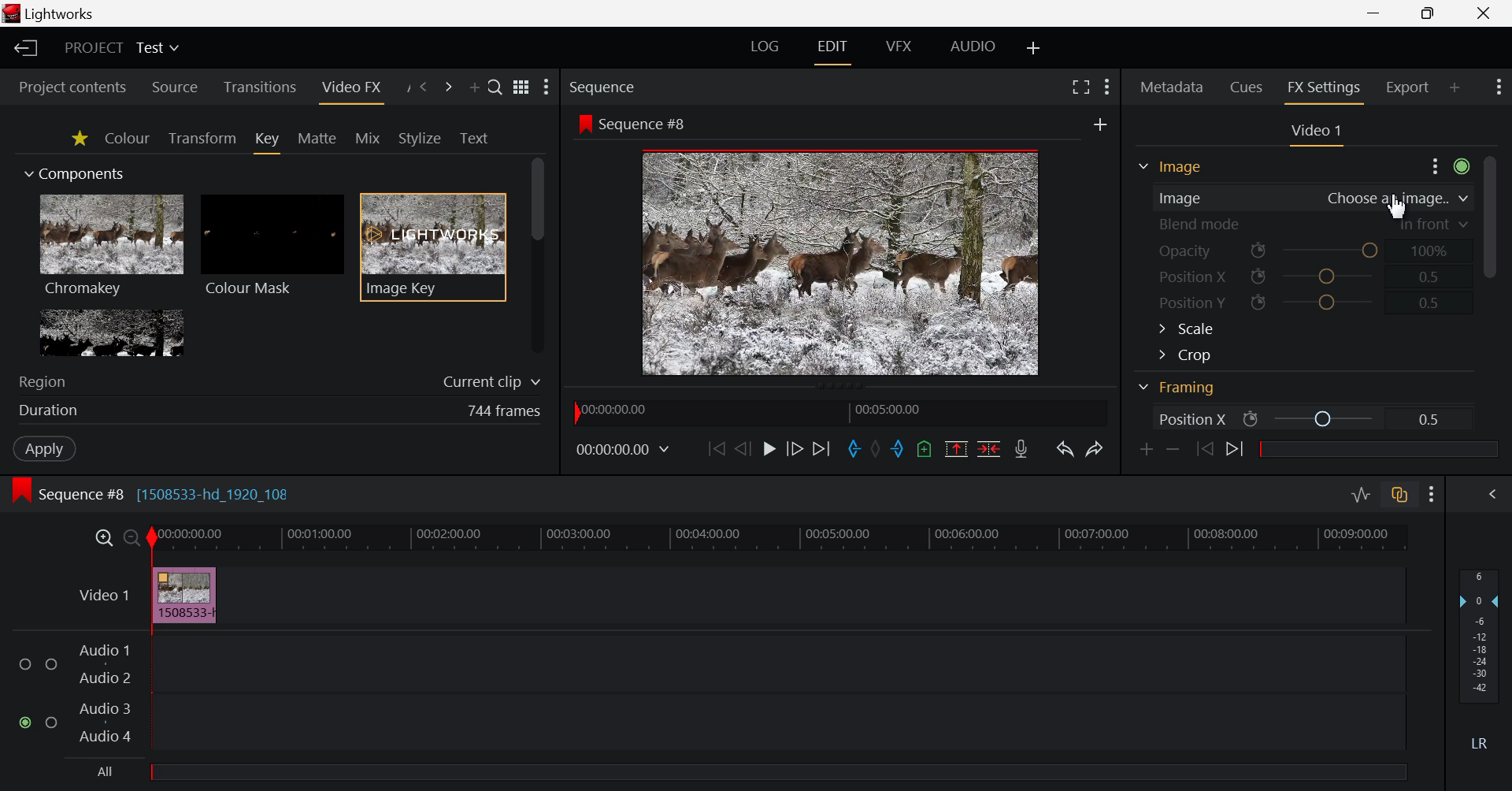  What do you see at coordinates (1484, 13) in the screenshot?
I see `Close` at bounding box center [1484, 13].